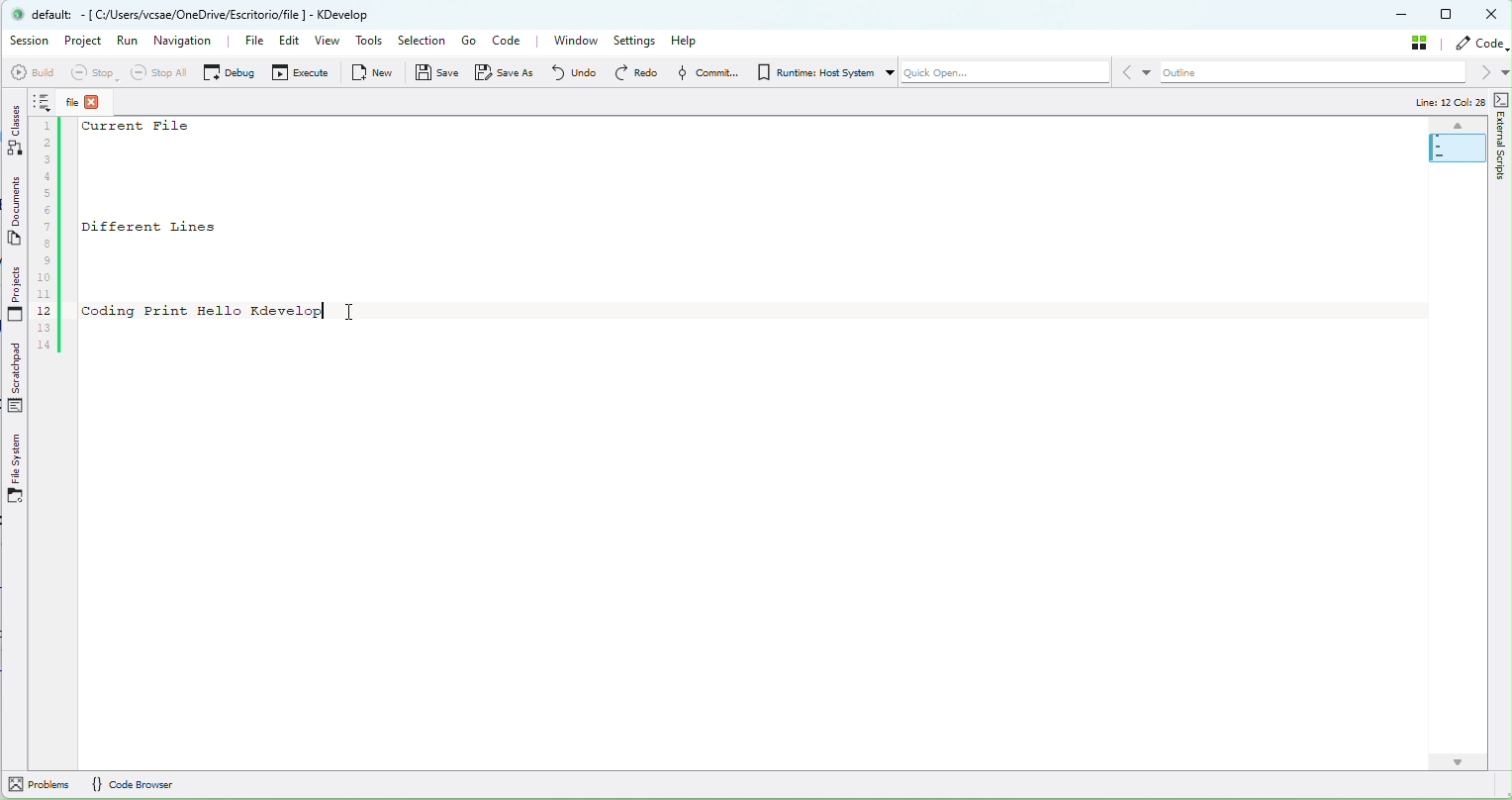 The width and height of the screenshot is (1512, 800). Describe the element at coordinates (376, 72) in the screenshot. I see `New` at that location.